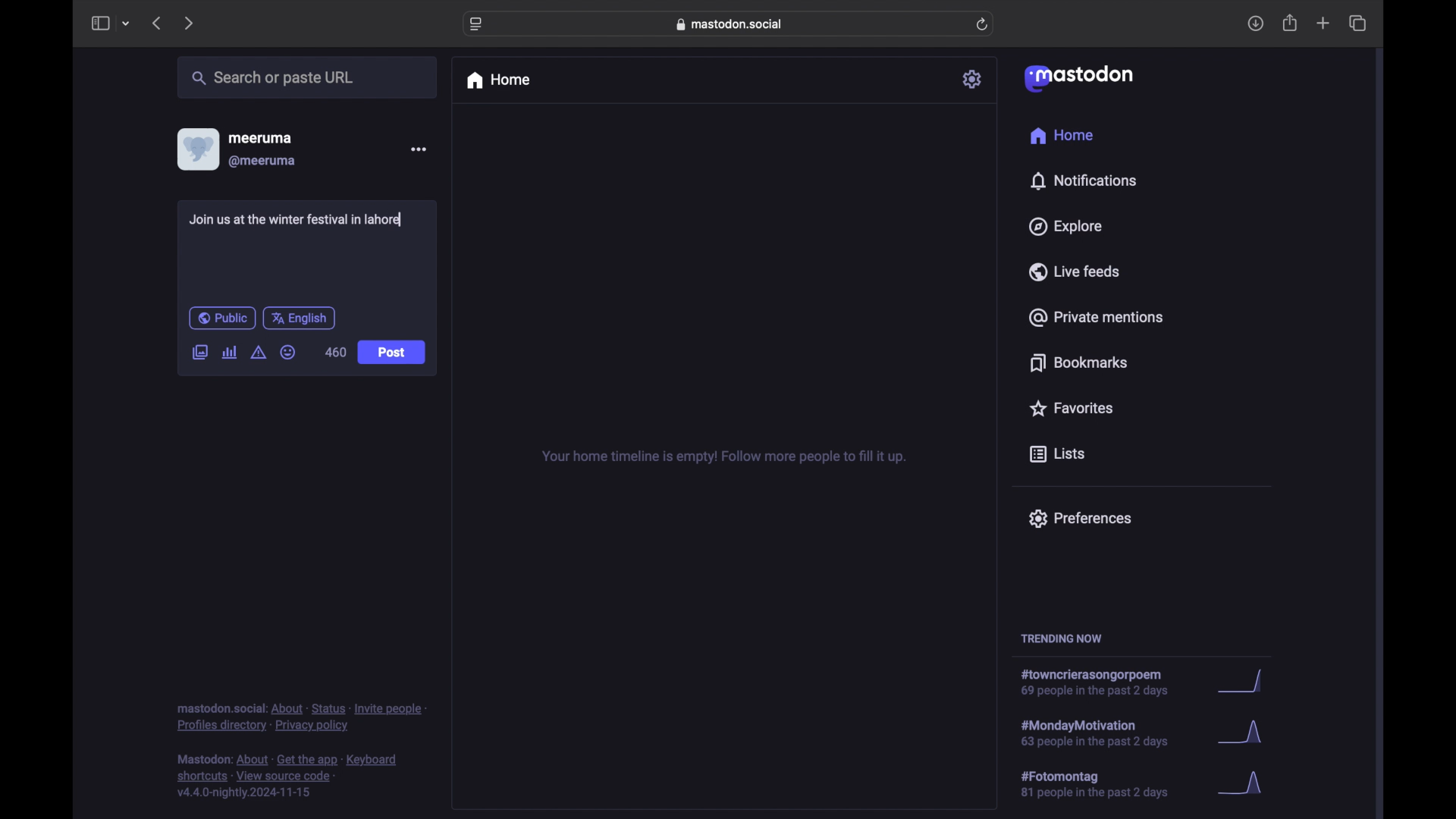 Image resolution: width=1456 pixels, height=819 pixels. Describe the element at coordinates (196, 149) in the screenshot. I see `display picture` at that location.